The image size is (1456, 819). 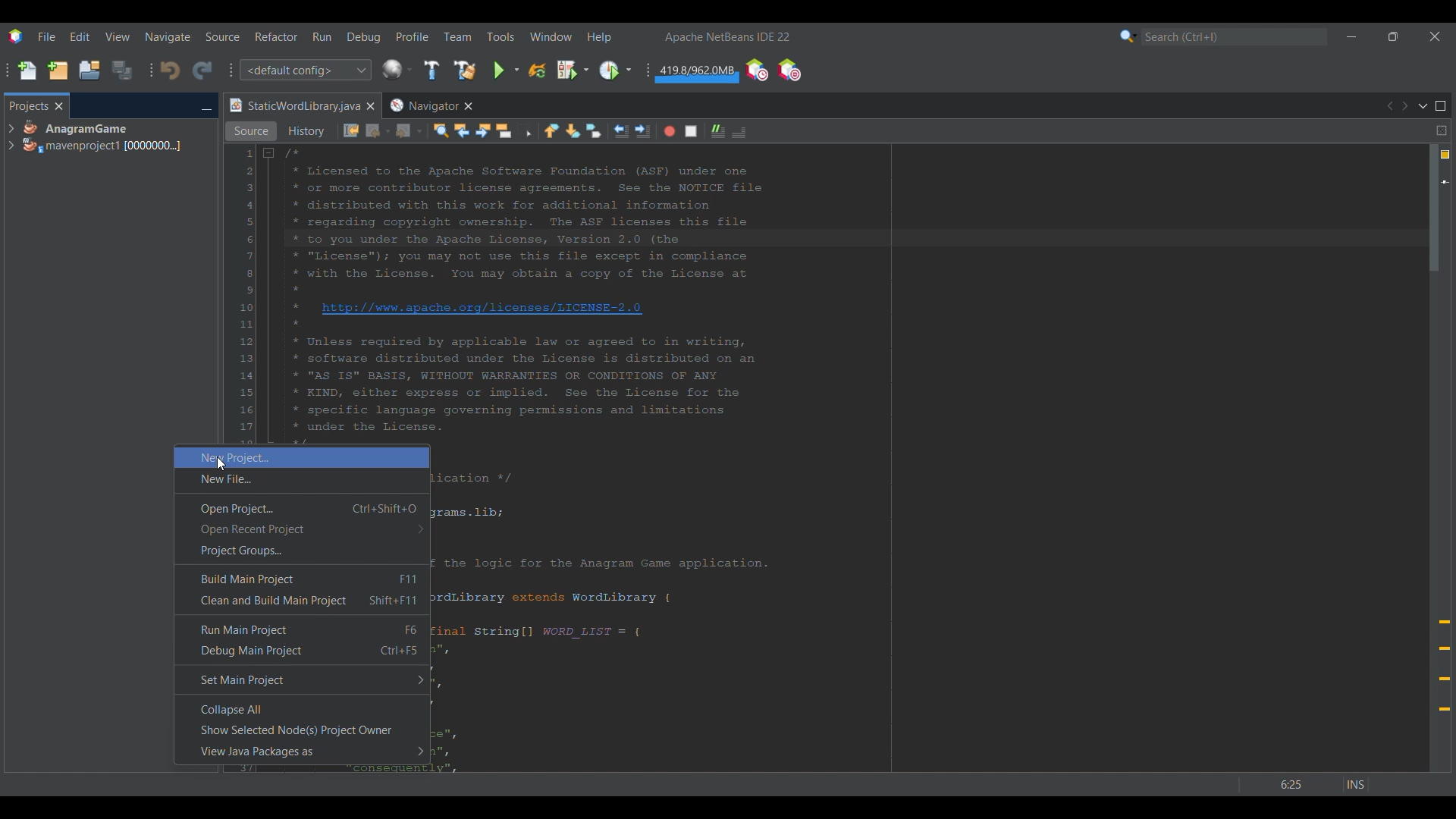 I want to click on Reload, so click(x=537, y=71).